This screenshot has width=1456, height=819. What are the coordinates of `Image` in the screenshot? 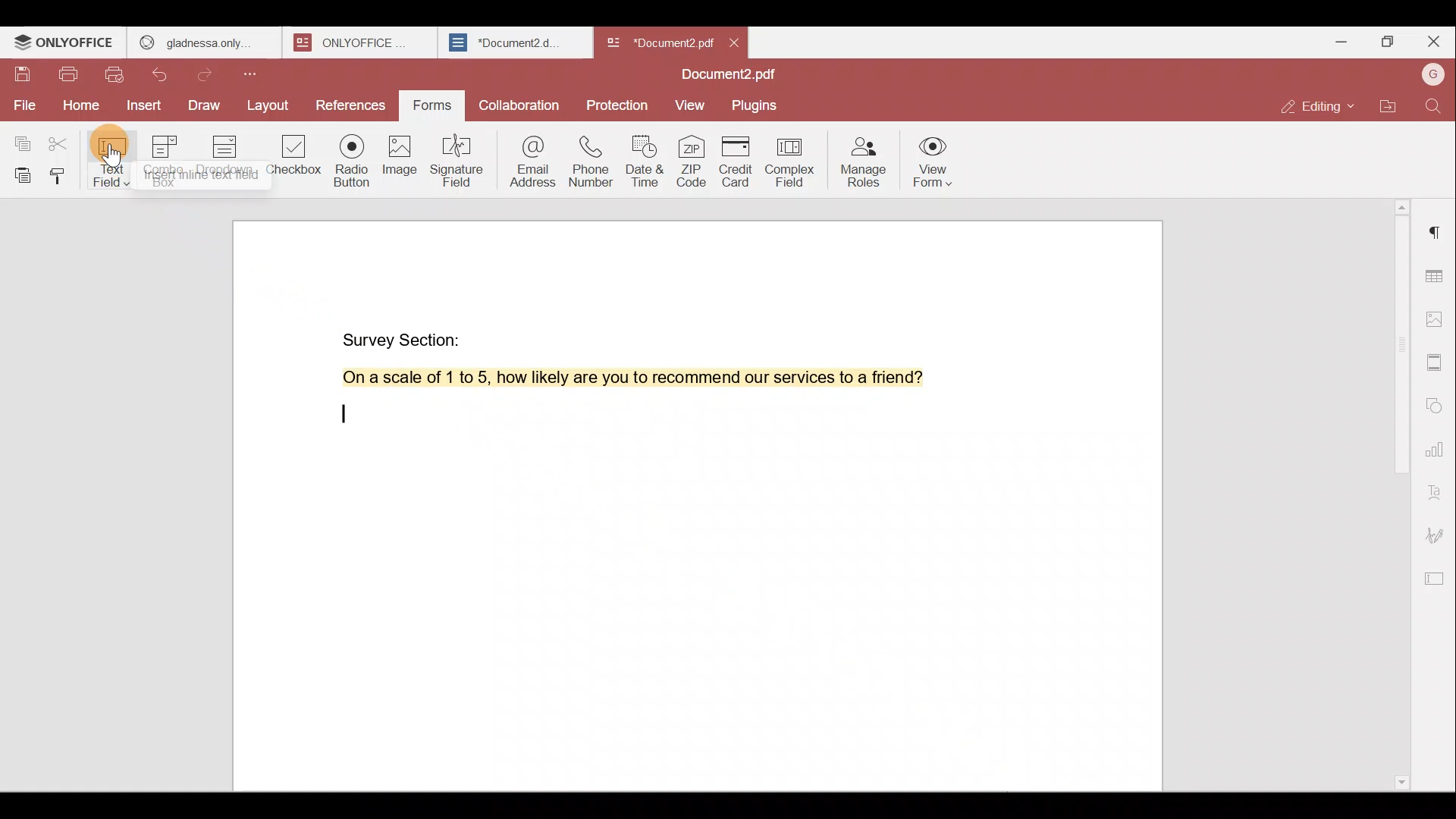 It's located at (398, 159).